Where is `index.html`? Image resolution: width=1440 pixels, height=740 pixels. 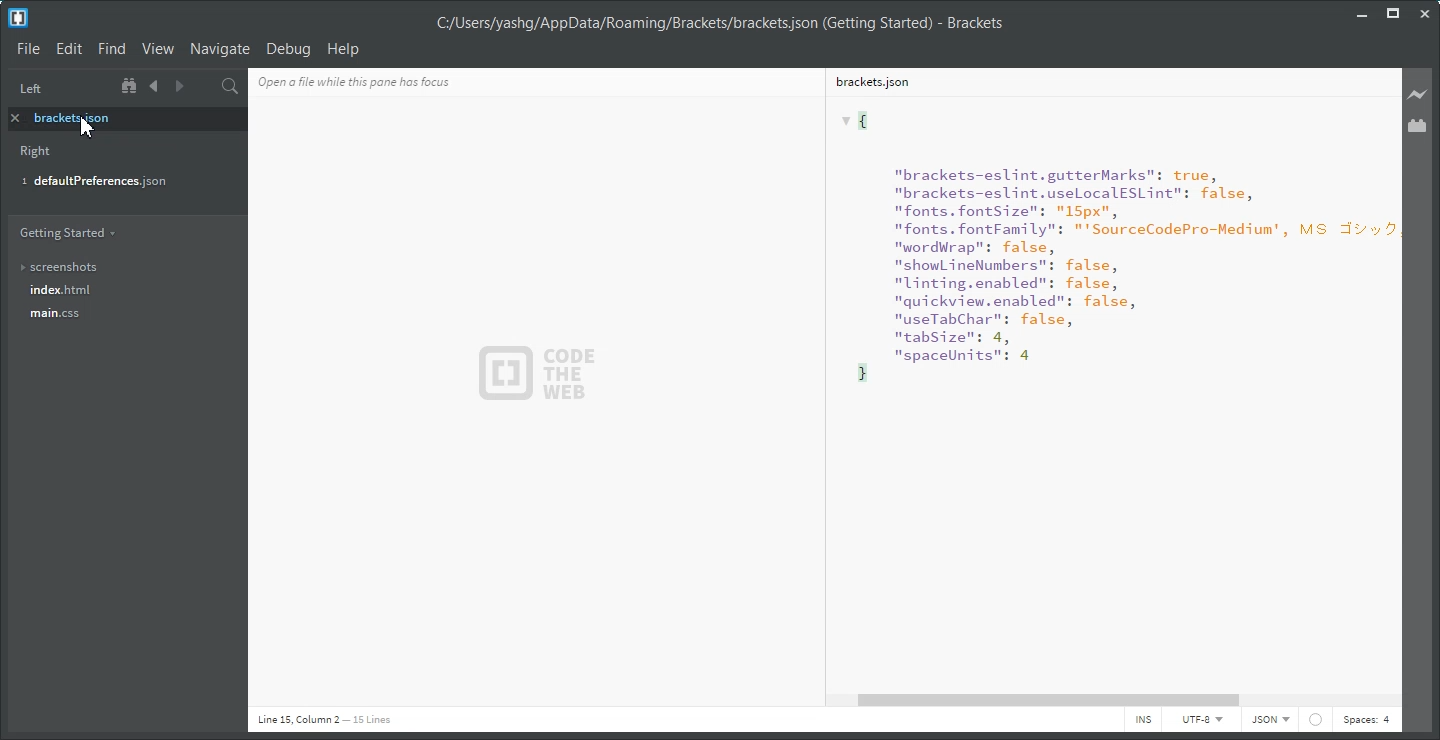 index.html is located at coordinates (124, 291).